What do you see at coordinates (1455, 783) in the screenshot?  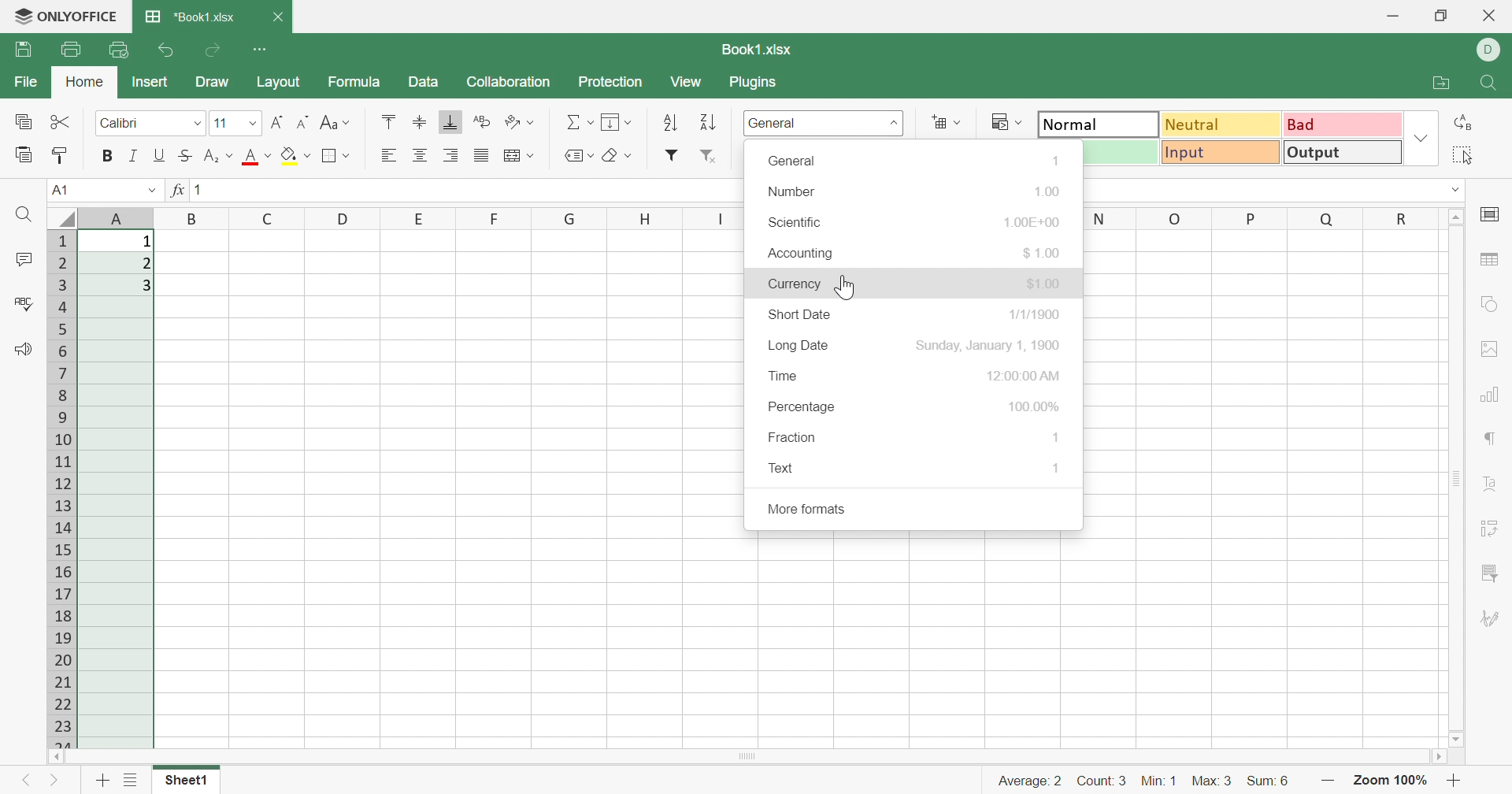 I see `Zoom out` at bounding box center [1455, 783].